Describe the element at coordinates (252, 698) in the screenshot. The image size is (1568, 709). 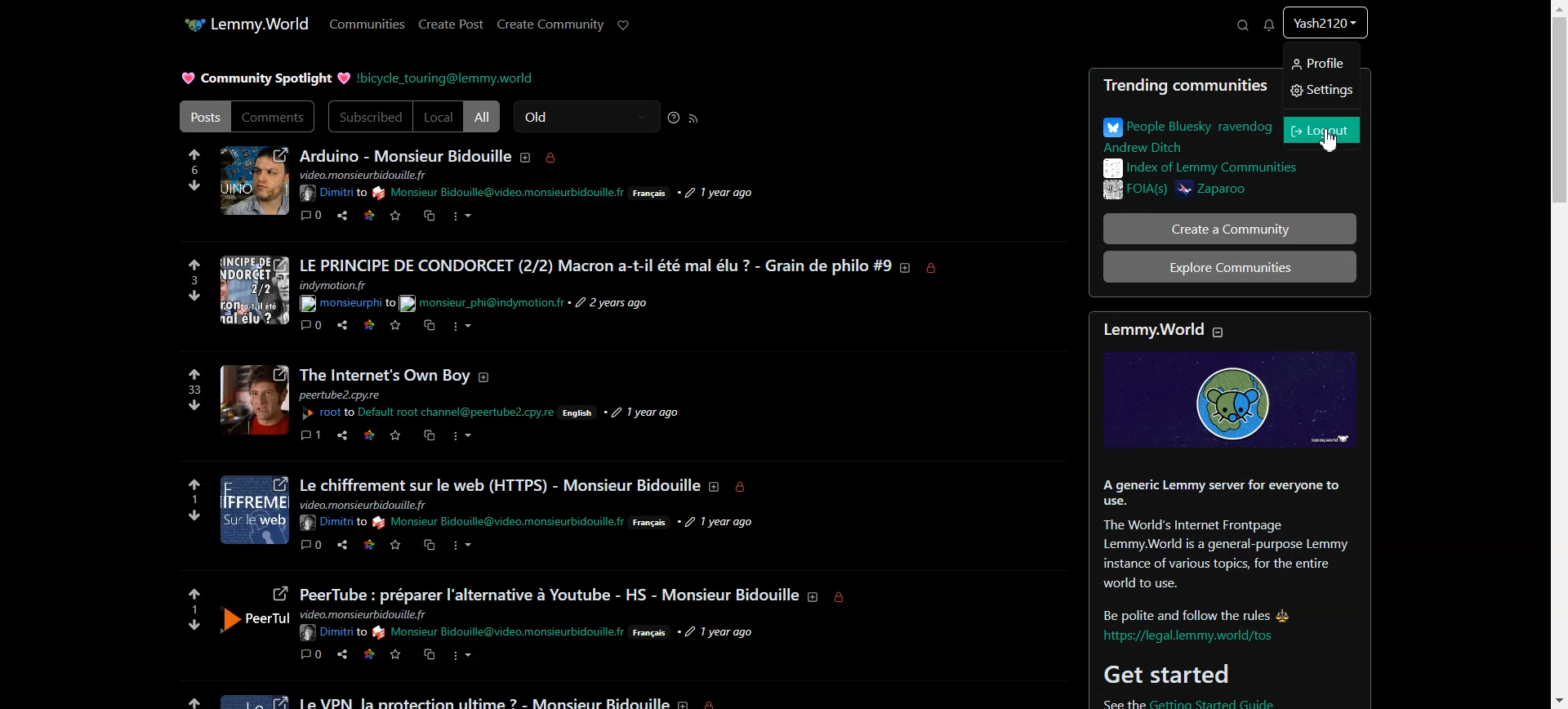
I see `image` at that location.